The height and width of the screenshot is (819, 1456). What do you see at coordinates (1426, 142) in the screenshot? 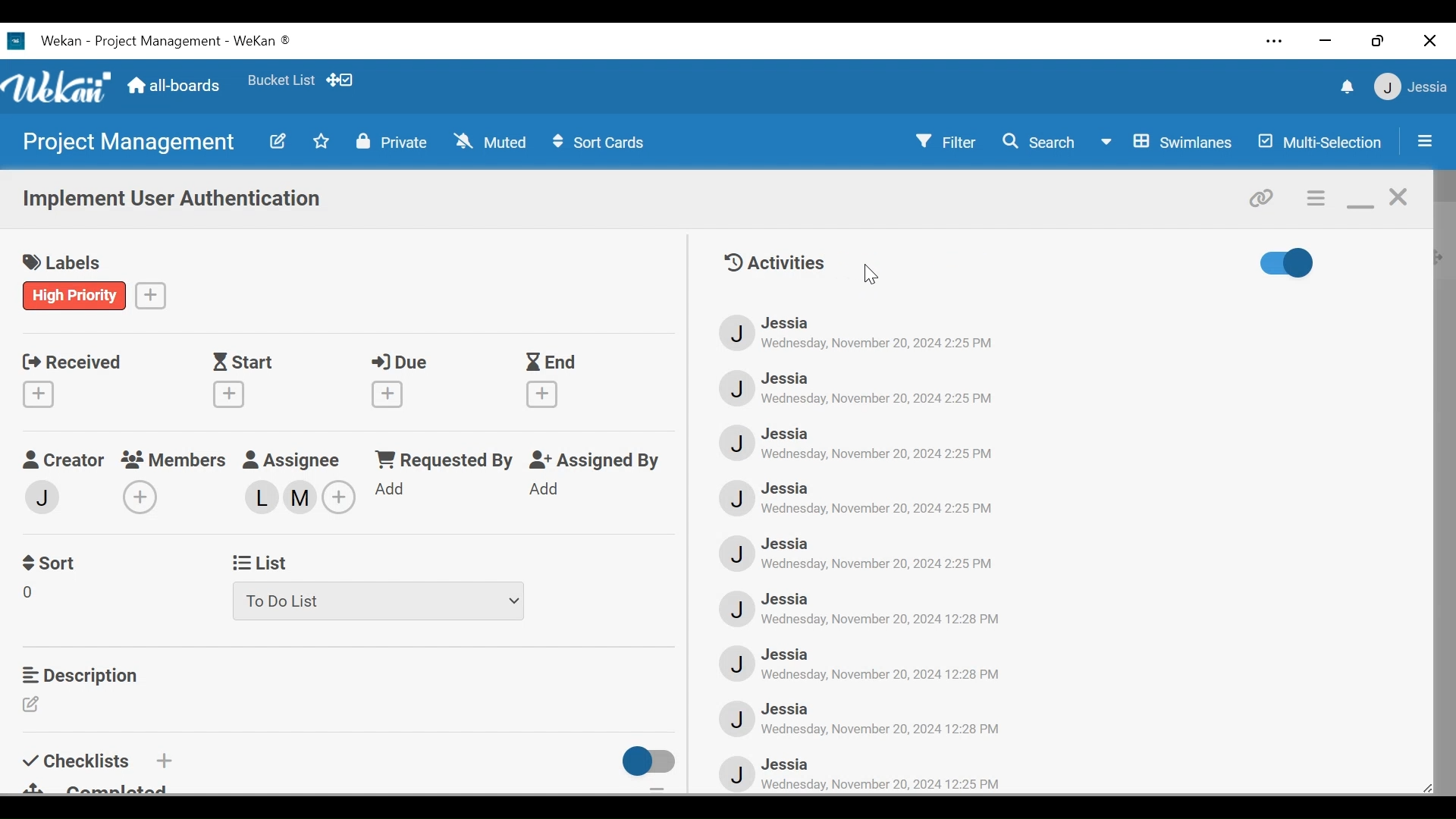
I see `Open/close sidebar` at bounding box center [1426, 142].